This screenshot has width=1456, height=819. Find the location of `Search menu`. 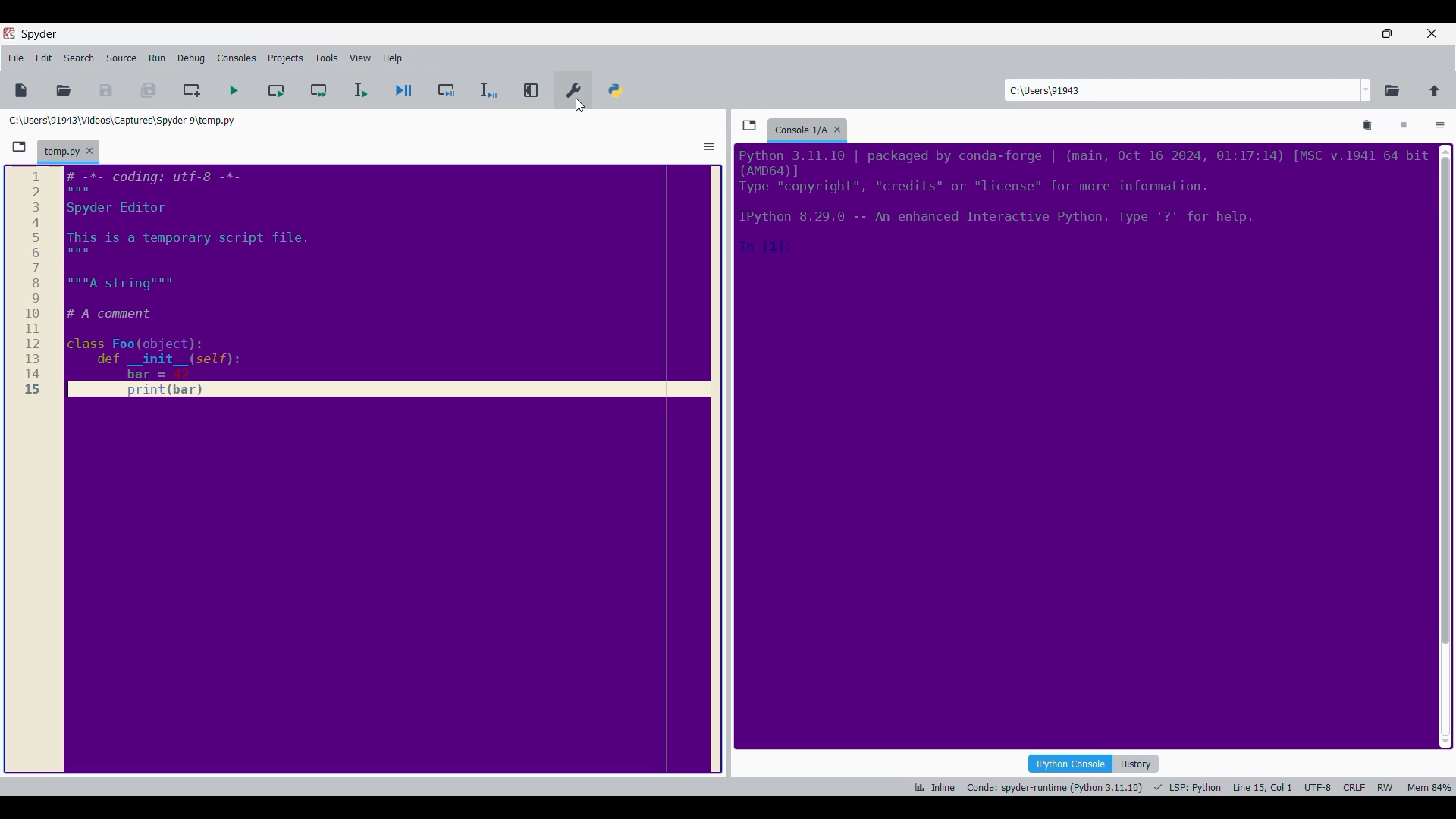

Search menu is located at coordinates (79, 58).